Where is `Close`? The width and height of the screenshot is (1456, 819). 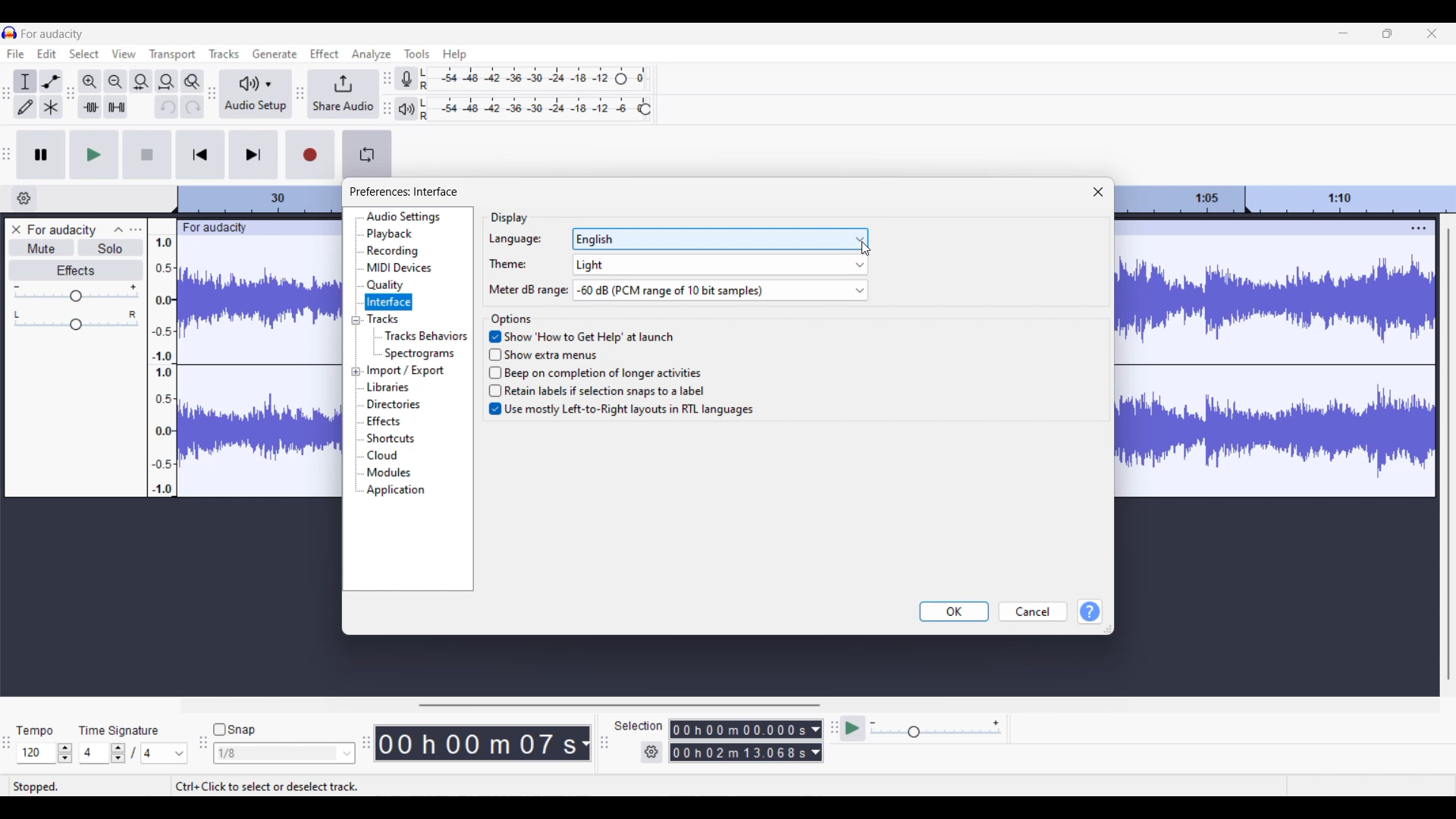
Close is located at coordinates (1099, 192).